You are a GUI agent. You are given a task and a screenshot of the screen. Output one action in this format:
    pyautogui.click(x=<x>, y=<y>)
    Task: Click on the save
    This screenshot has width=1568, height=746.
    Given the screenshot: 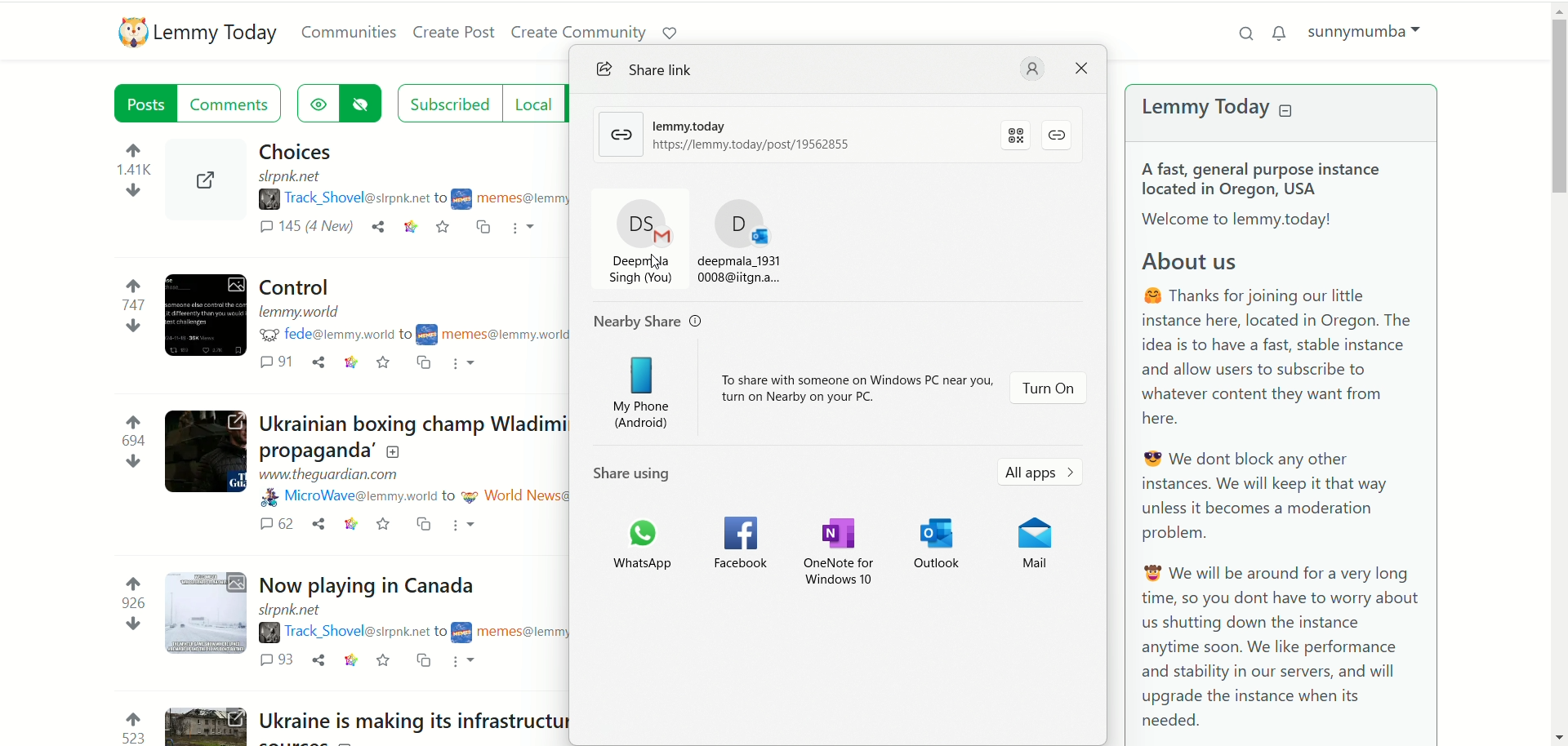 What is the action you would take?
    pyautogui.click(x=381, y=659)
    